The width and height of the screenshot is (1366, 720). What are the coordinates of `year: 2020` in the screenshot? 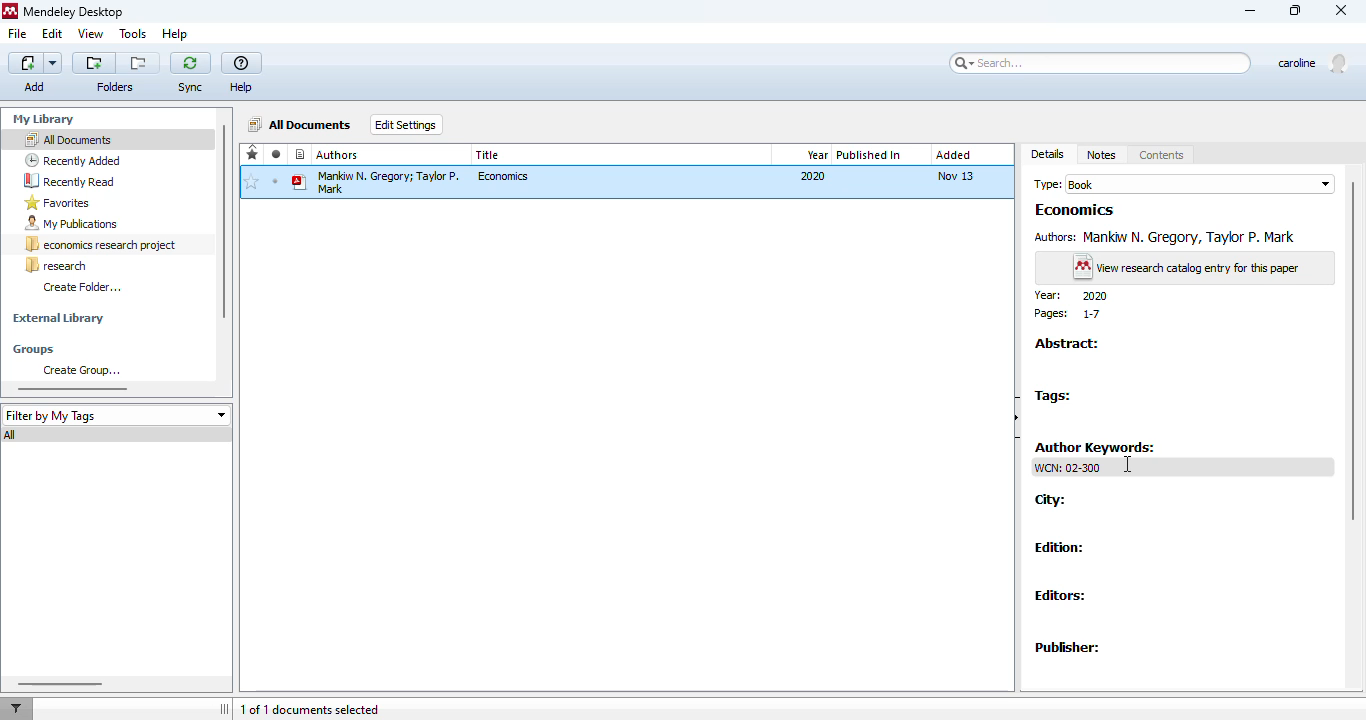 It's located at (1072, 296).